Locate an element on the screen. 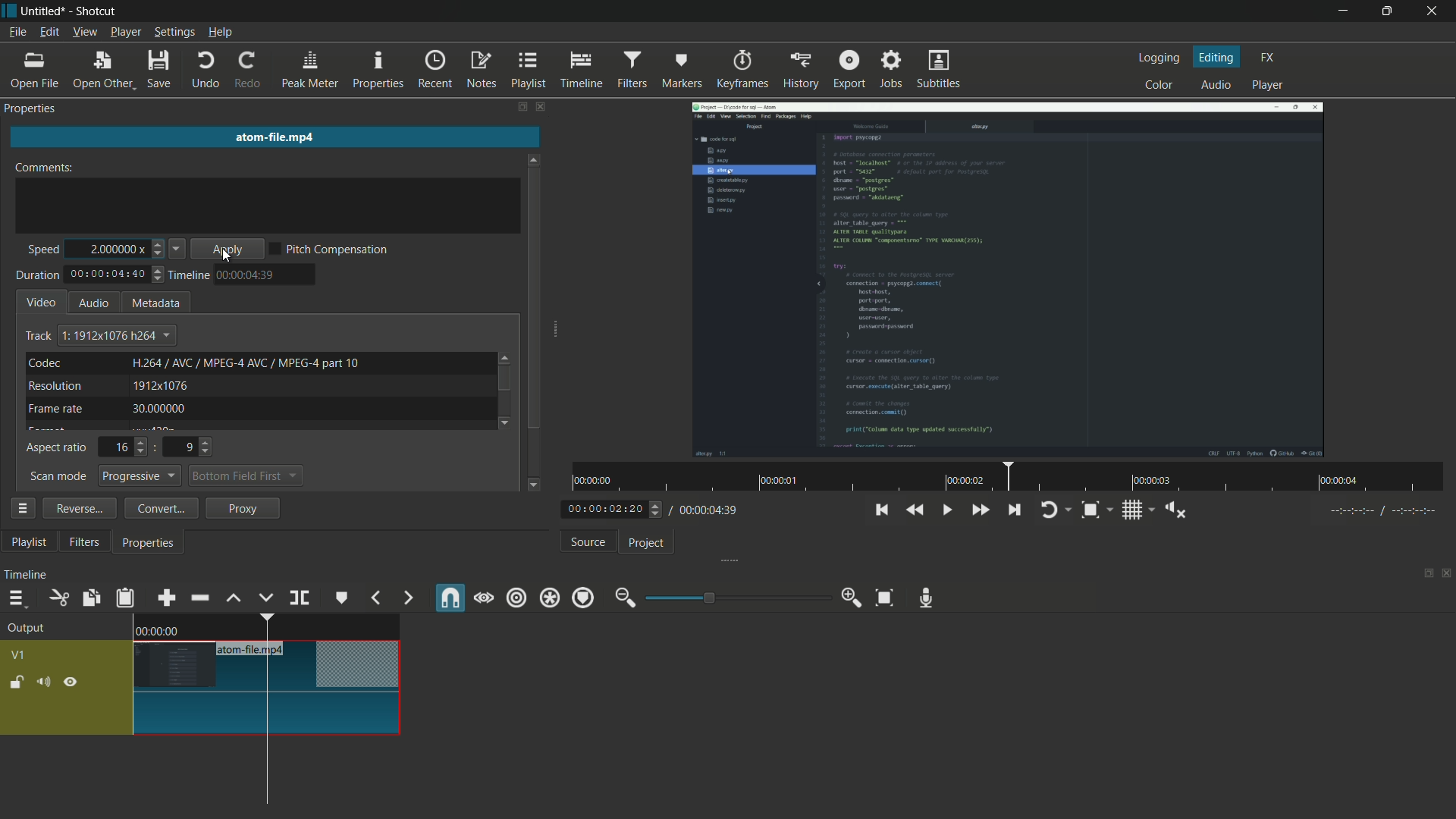 This screenshot has width=1456, height=819. color is located at coordinates (1159, 86).